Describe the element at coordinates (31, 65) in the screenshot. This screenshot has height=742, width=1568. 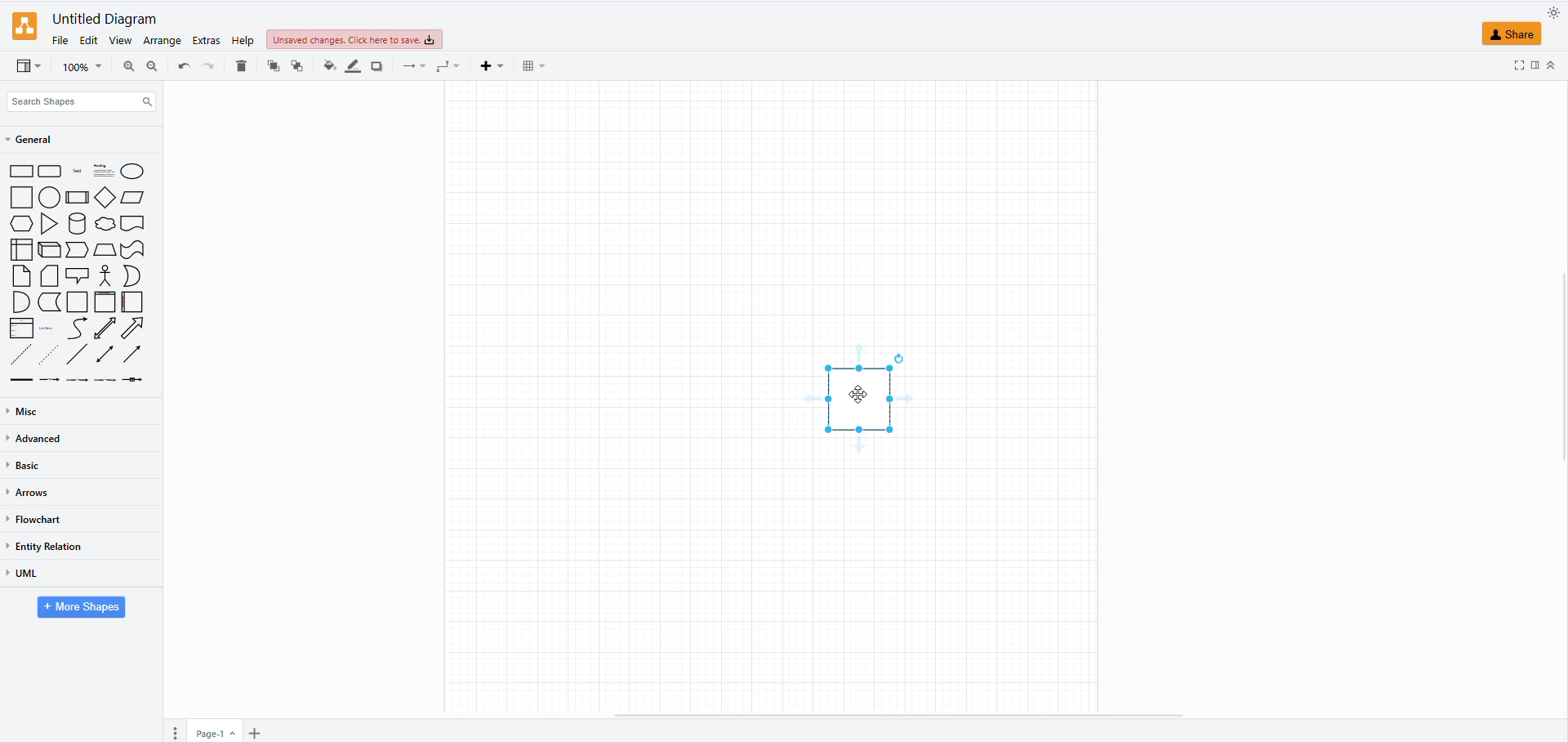
I see `view` at that location.